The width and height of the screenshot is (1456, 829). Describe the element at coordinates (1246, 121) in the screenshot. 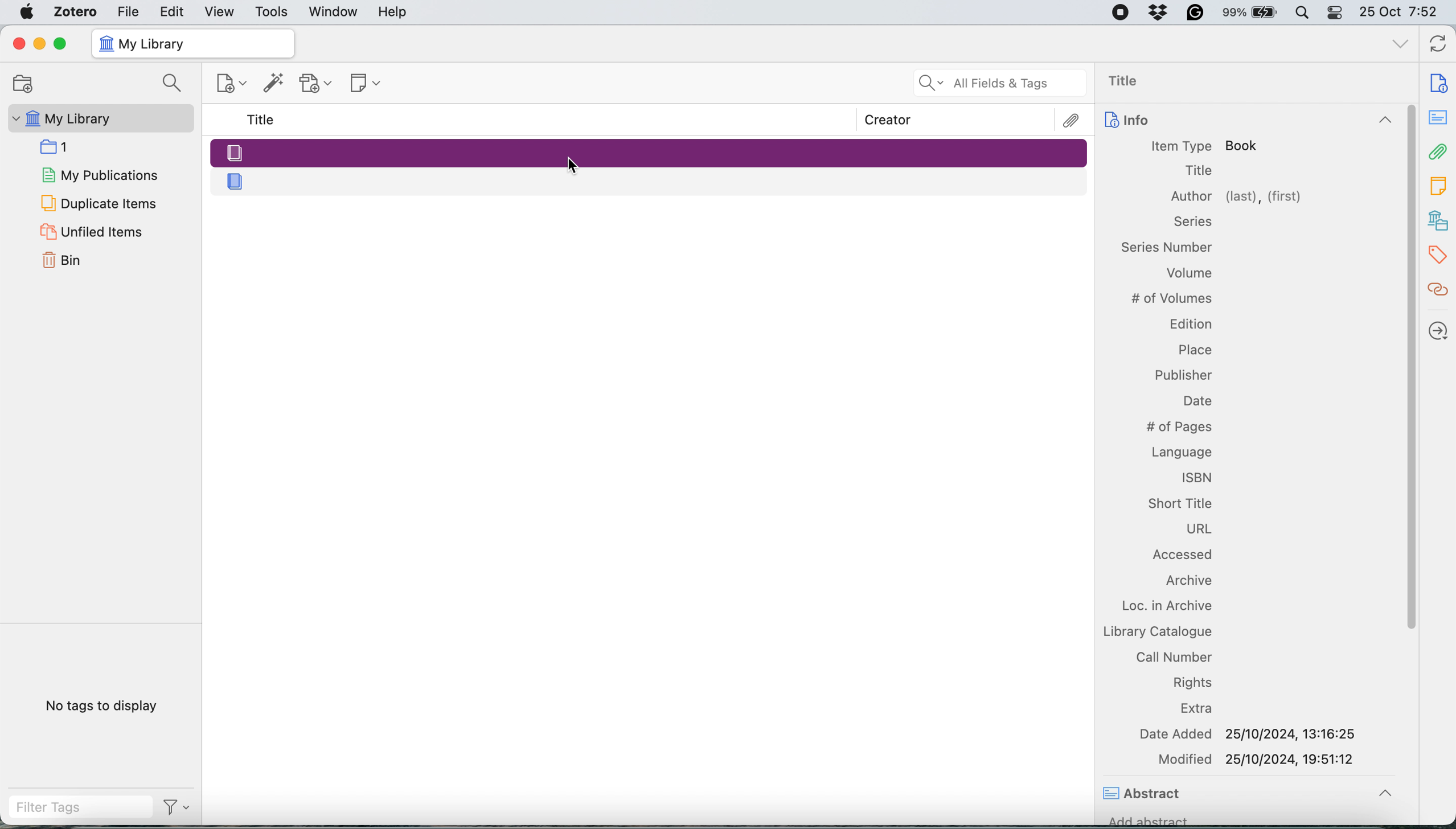

I see `Info` at that location.